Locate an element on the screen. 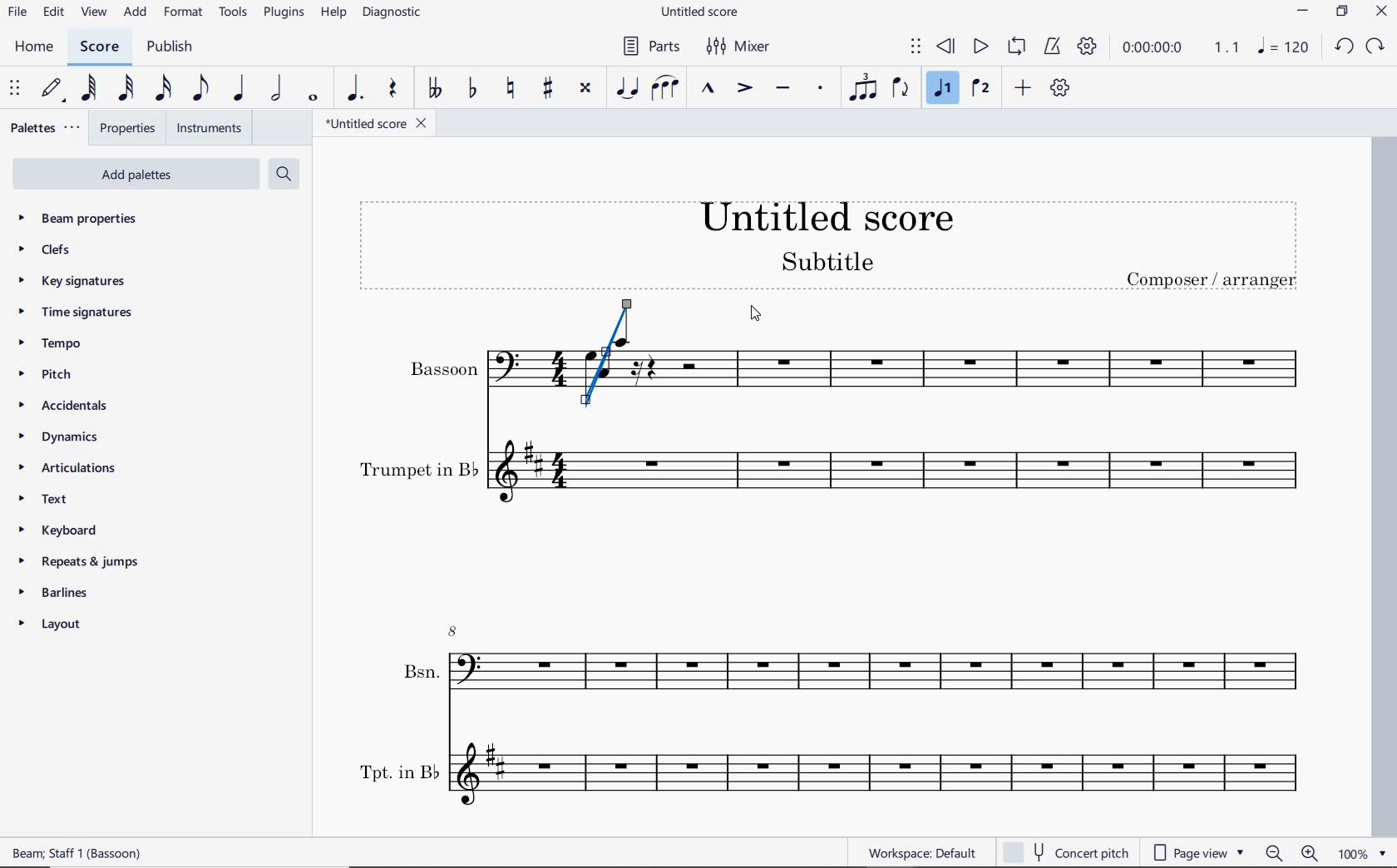 This screenshot has height=868, width=1397. voice 2 is located at coordinates (981, 89).